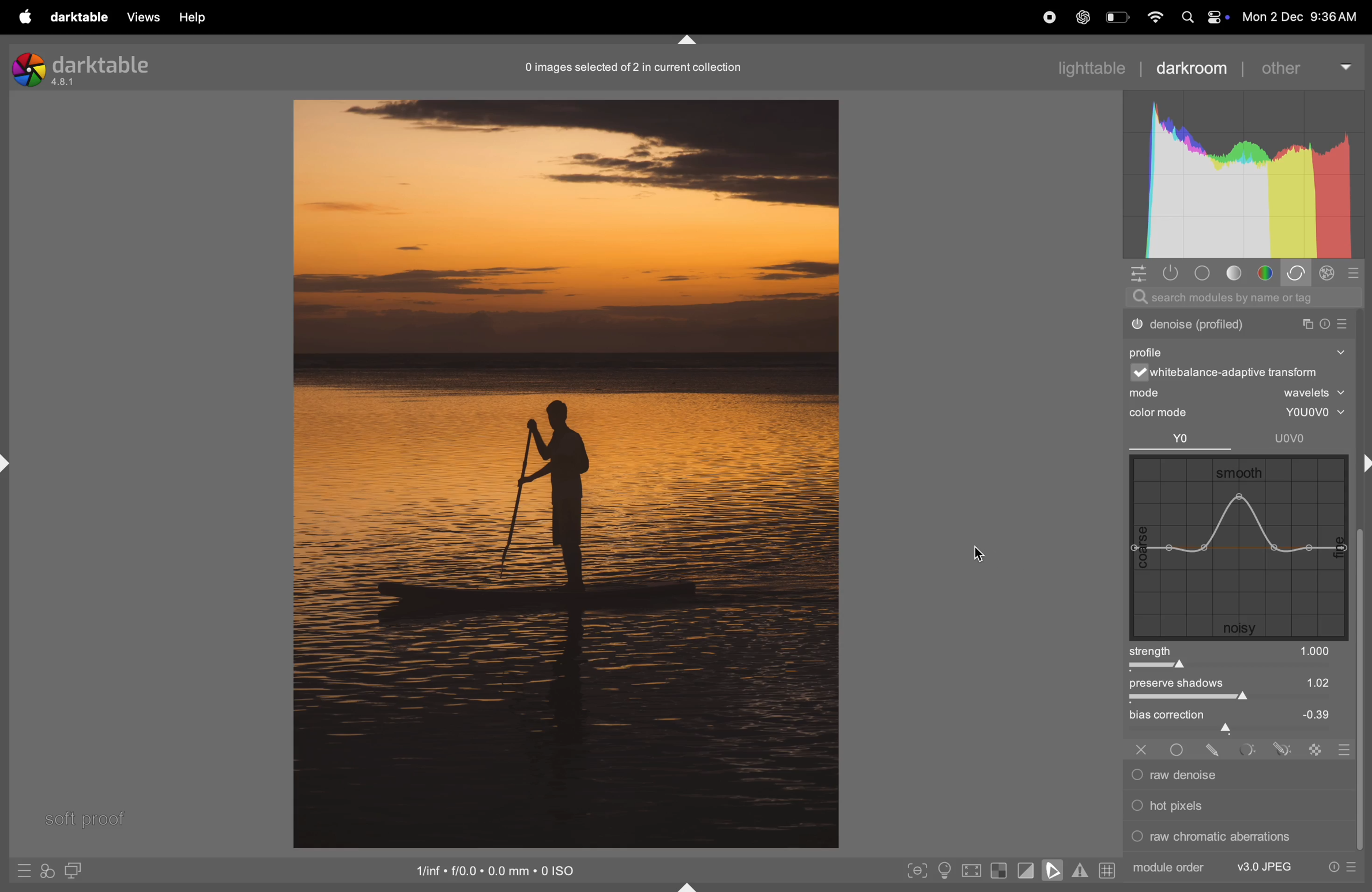 The width and height of the screenshot is (1372, 892). I want to click on search, so click(1245, 298).